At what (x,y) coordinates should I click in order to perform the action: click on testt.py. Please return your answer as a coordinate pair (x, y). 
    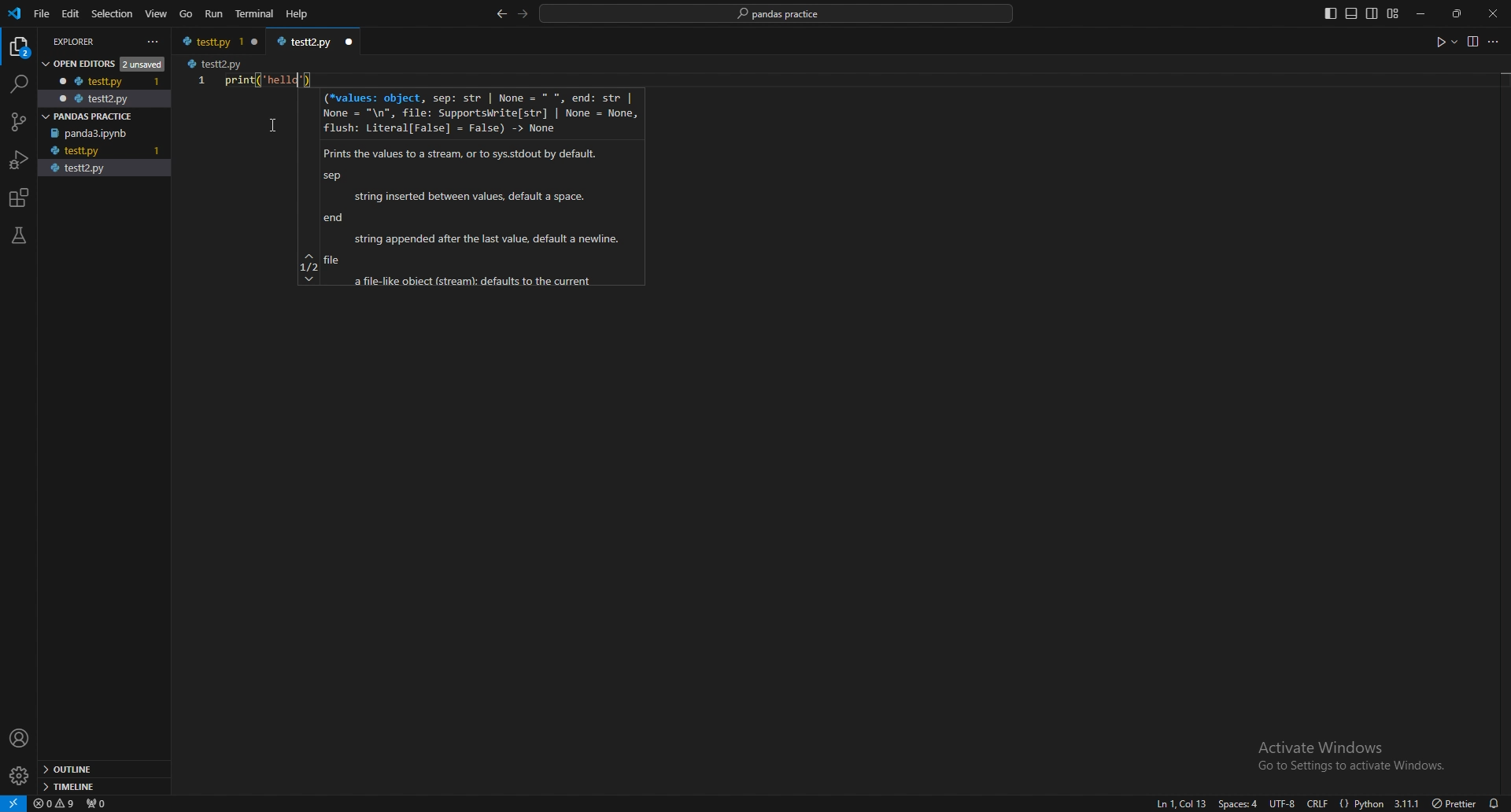
    Looking at the image, I should click on (81, 151).